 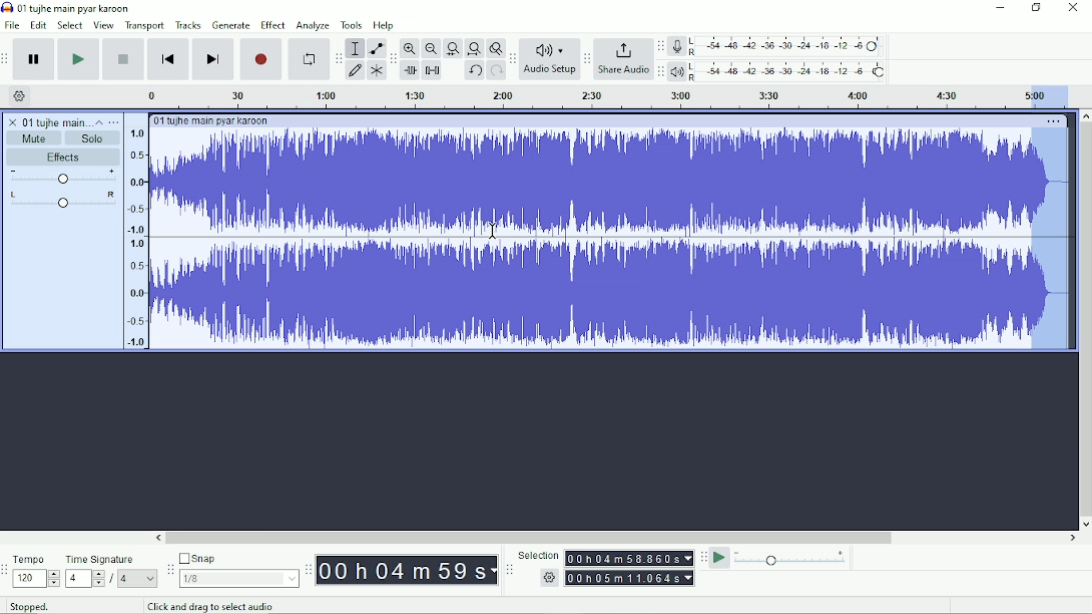 What do you see at coordinates (721, 558) in the screenshot?
I see `Play-at-speed` at bounding box center [721, 558].